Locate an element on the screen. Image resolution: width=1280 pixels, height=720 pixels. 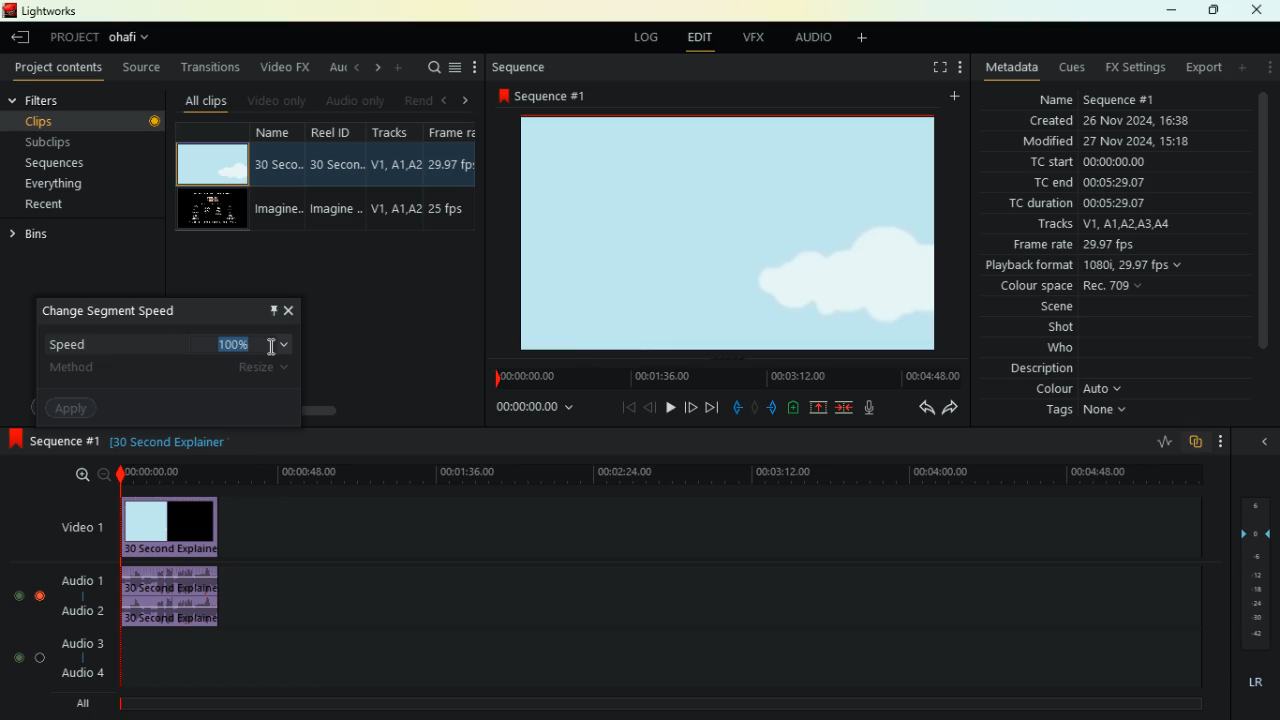
fullscreen is located at coordinates (930, 67).